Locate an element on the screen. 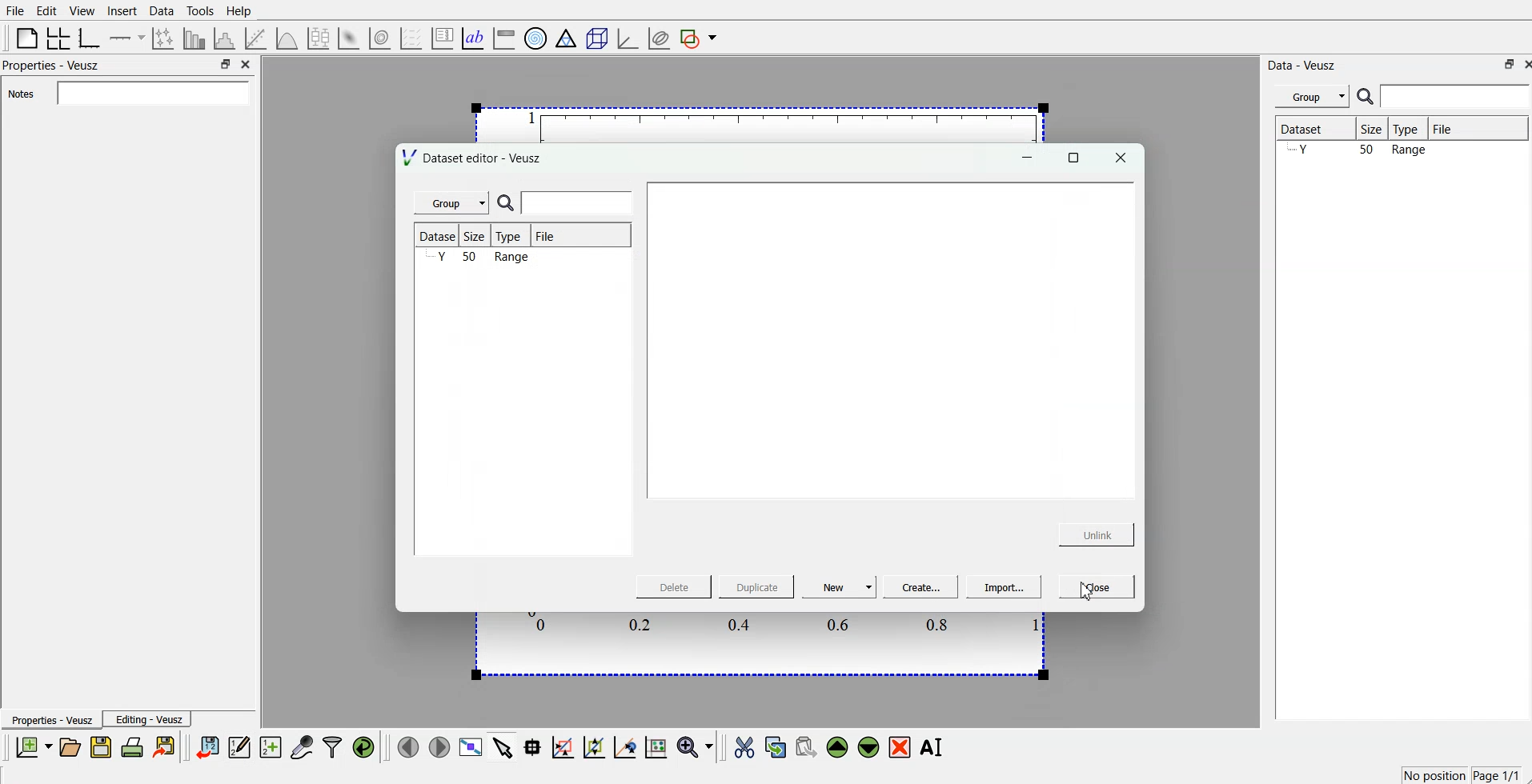 This screenshot has height=784, width=1532. create new datasets is located at coordinates (271, 748).